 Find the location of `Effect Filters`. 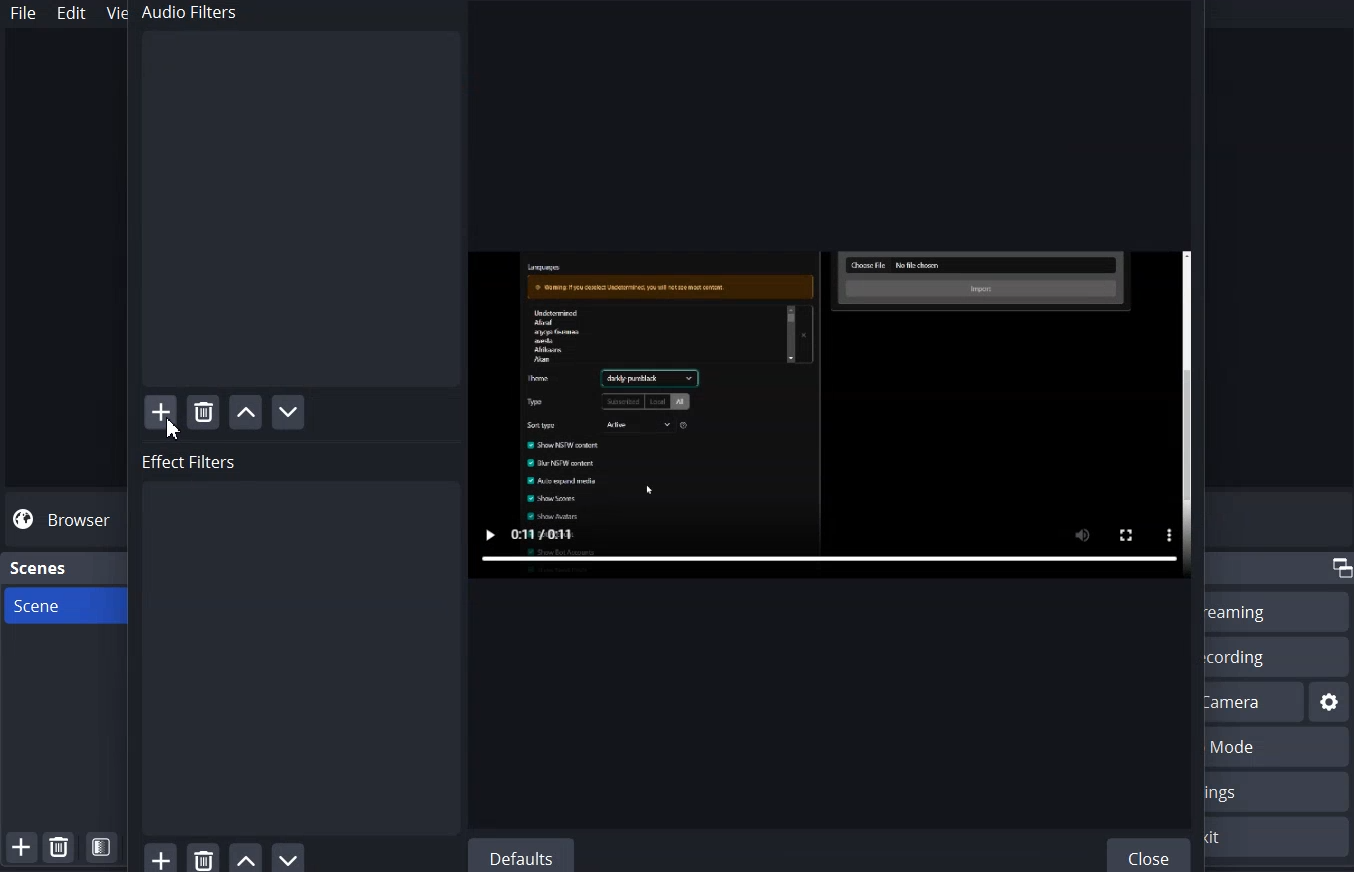

Effect Filters is located at coordinates (298, 642).